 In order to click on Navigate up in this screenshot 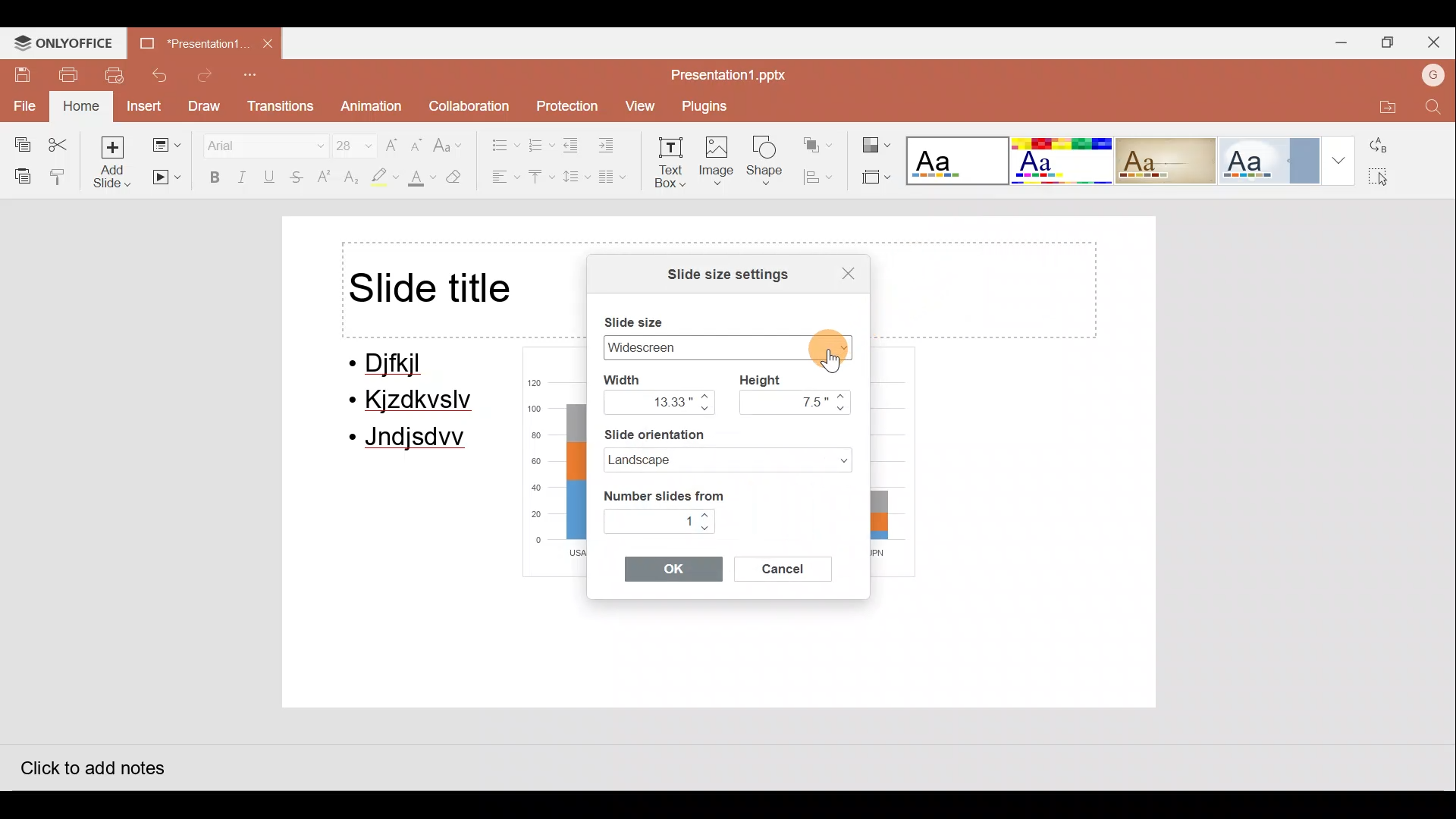, I will do `click(844, 396)`.